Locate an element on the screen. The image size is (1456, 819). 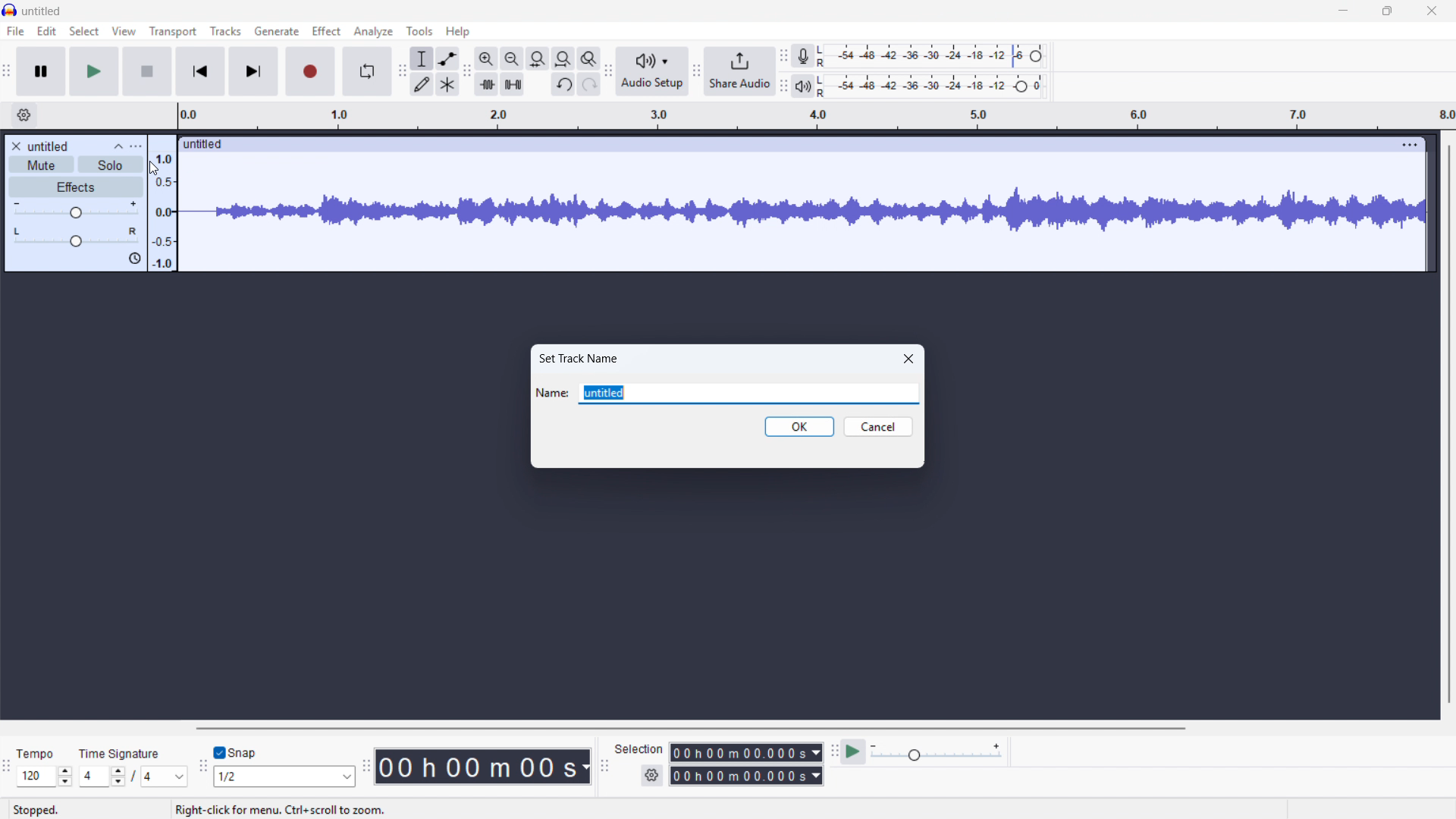
select  is located at coordinates (85, 32).